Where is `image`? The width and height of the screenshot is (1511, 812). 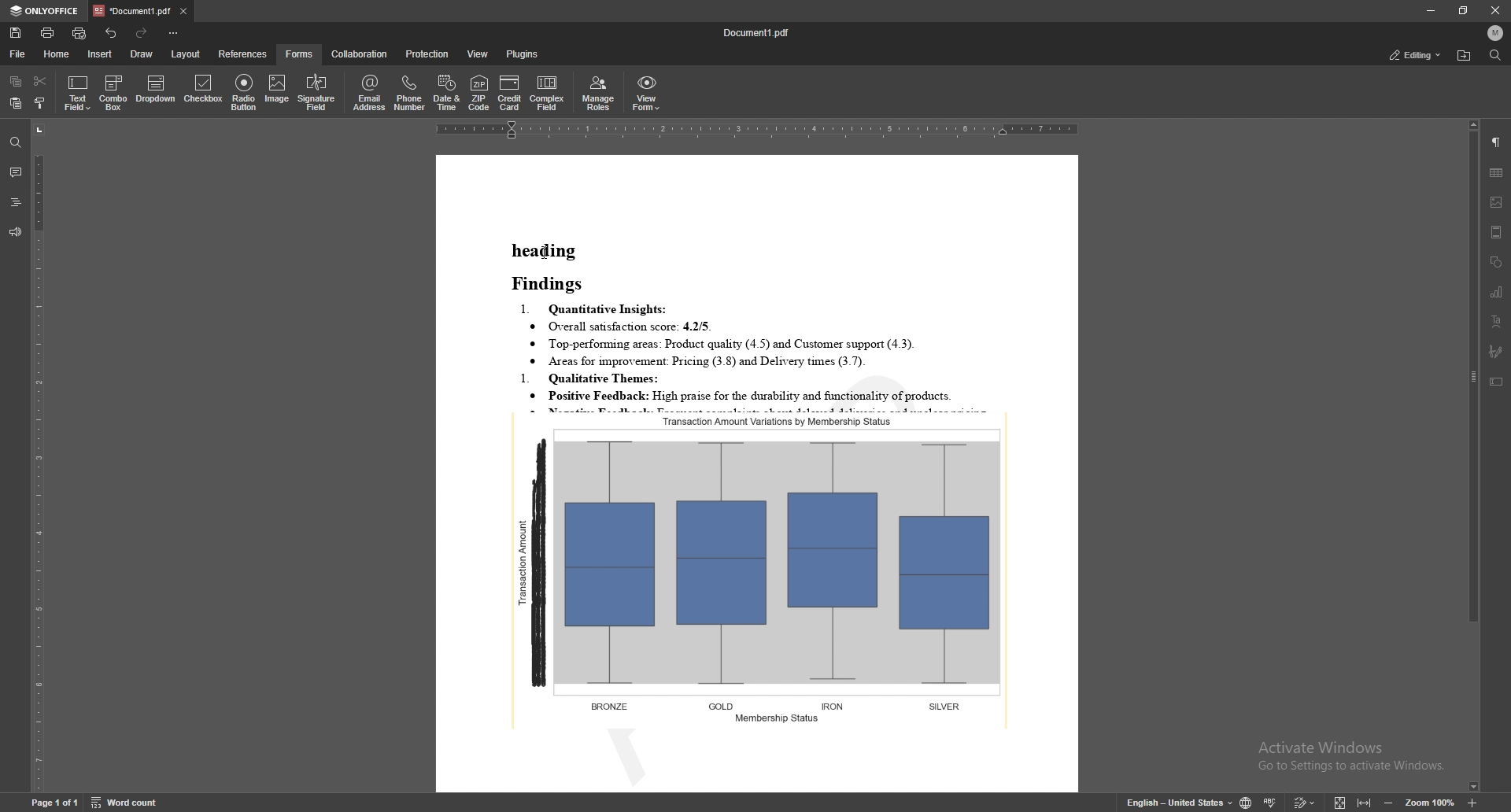
image is located at coordinates (1496, 202).